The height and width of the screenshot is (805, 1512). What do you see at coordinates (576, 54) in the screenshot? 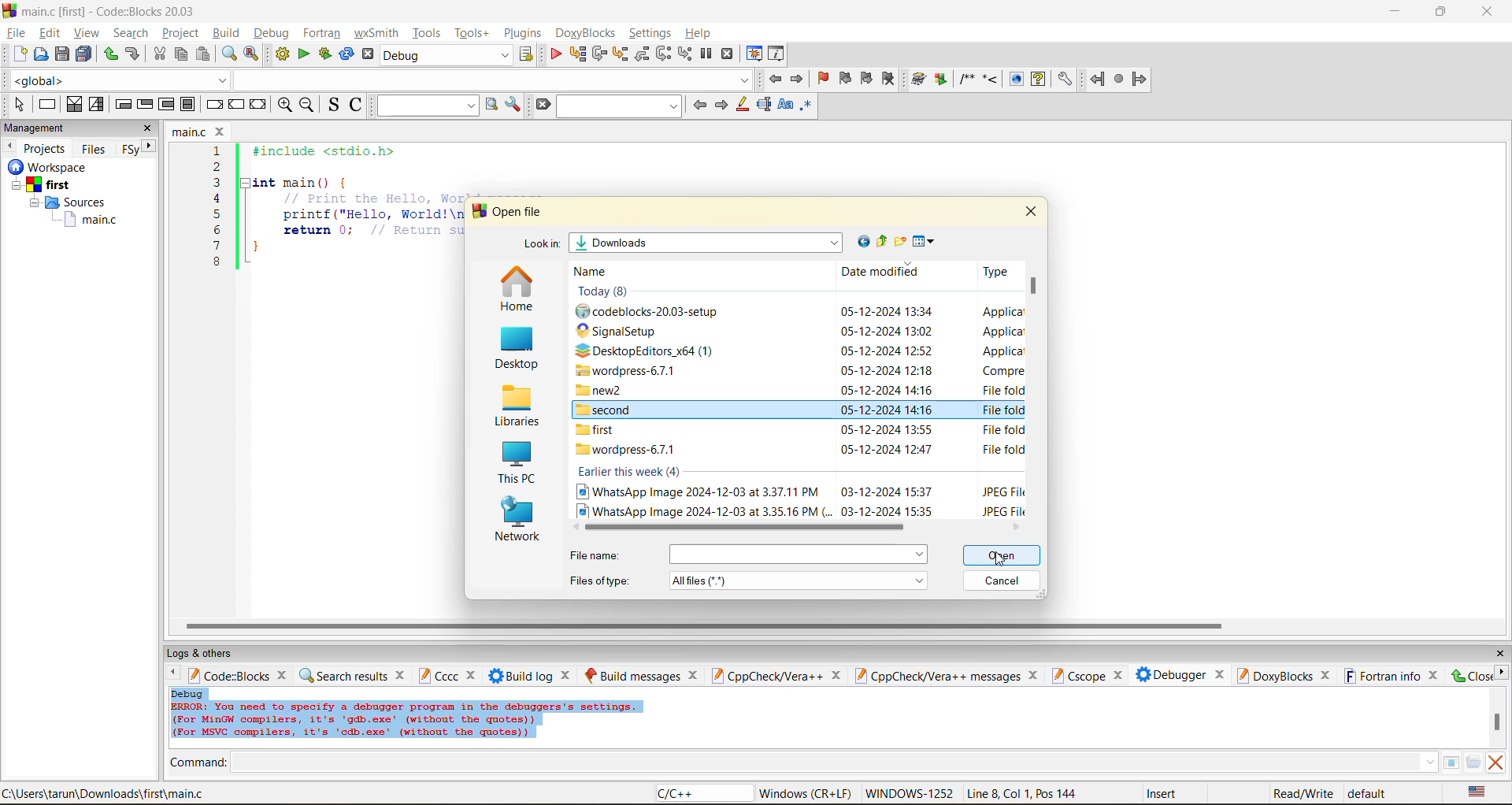
I see `run to cursor` at bounding box center [576, 54].